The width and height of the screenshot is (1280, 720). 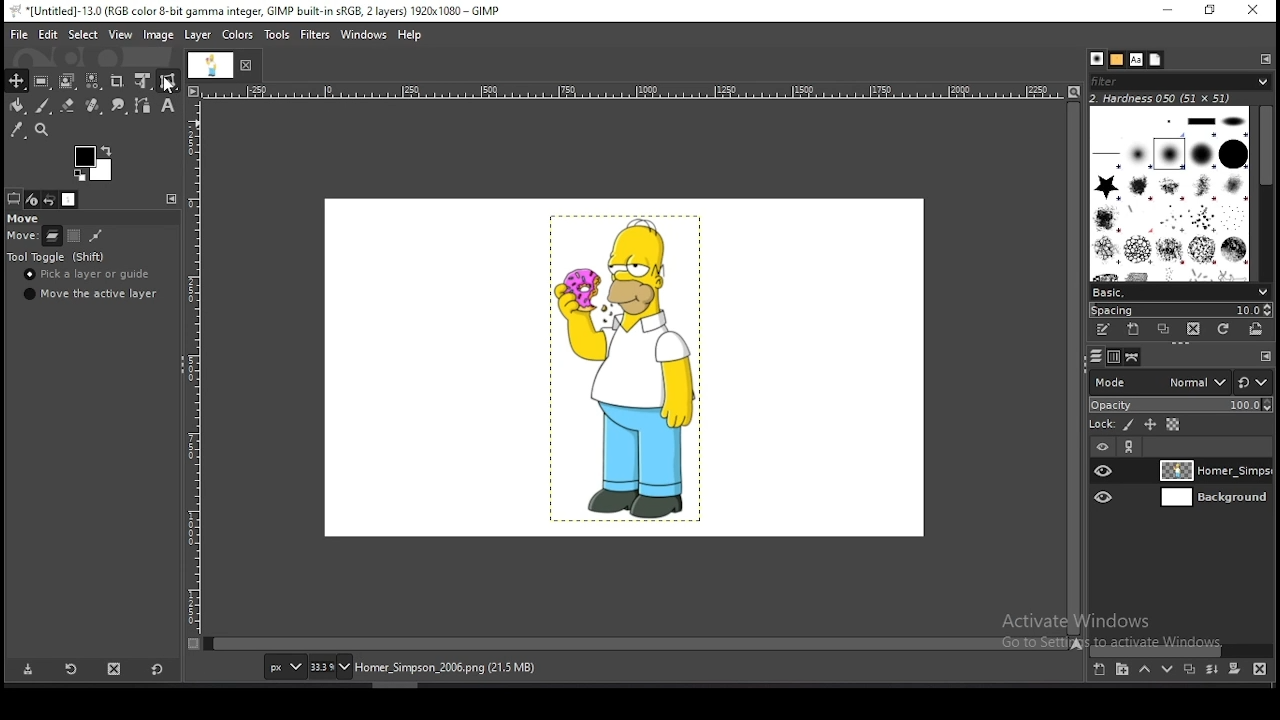 What do you see at coordinates (67, 81) in the screenshot?
I see `foreground select tool` at bounding box center [67, 81].